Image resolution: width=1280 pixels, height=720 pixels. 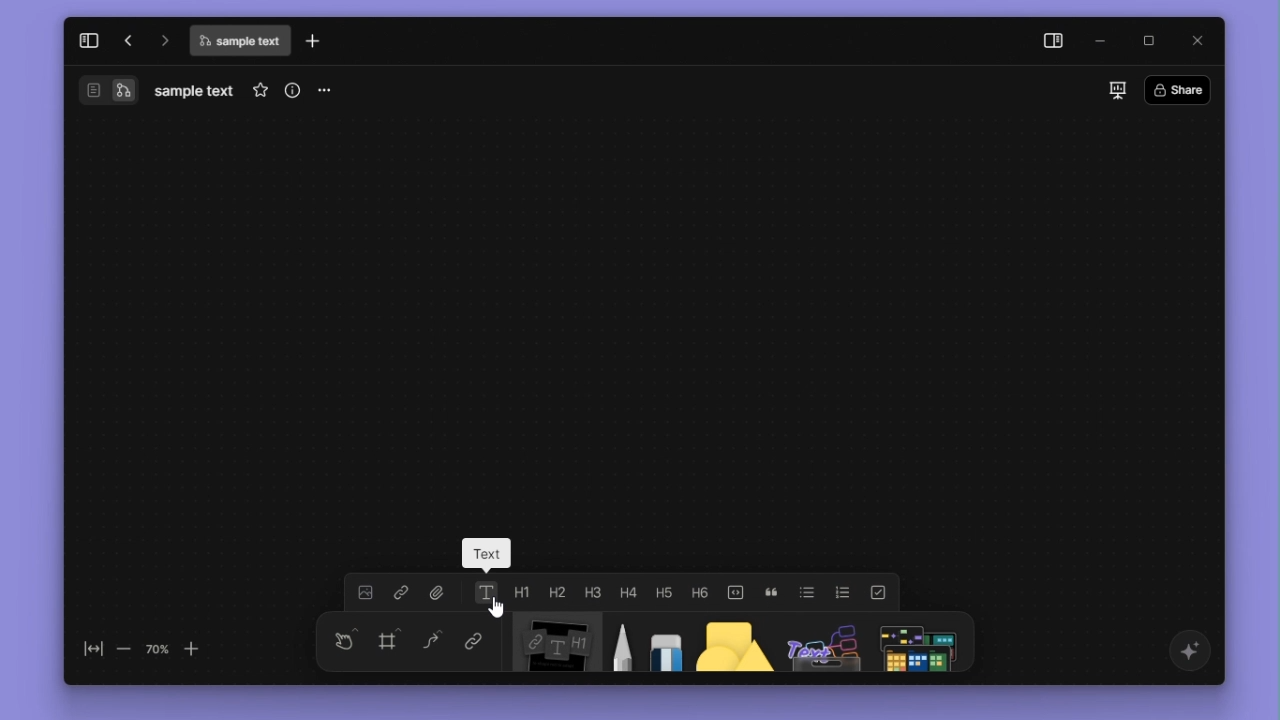 I want to click on text, so click(x=485, y=591).